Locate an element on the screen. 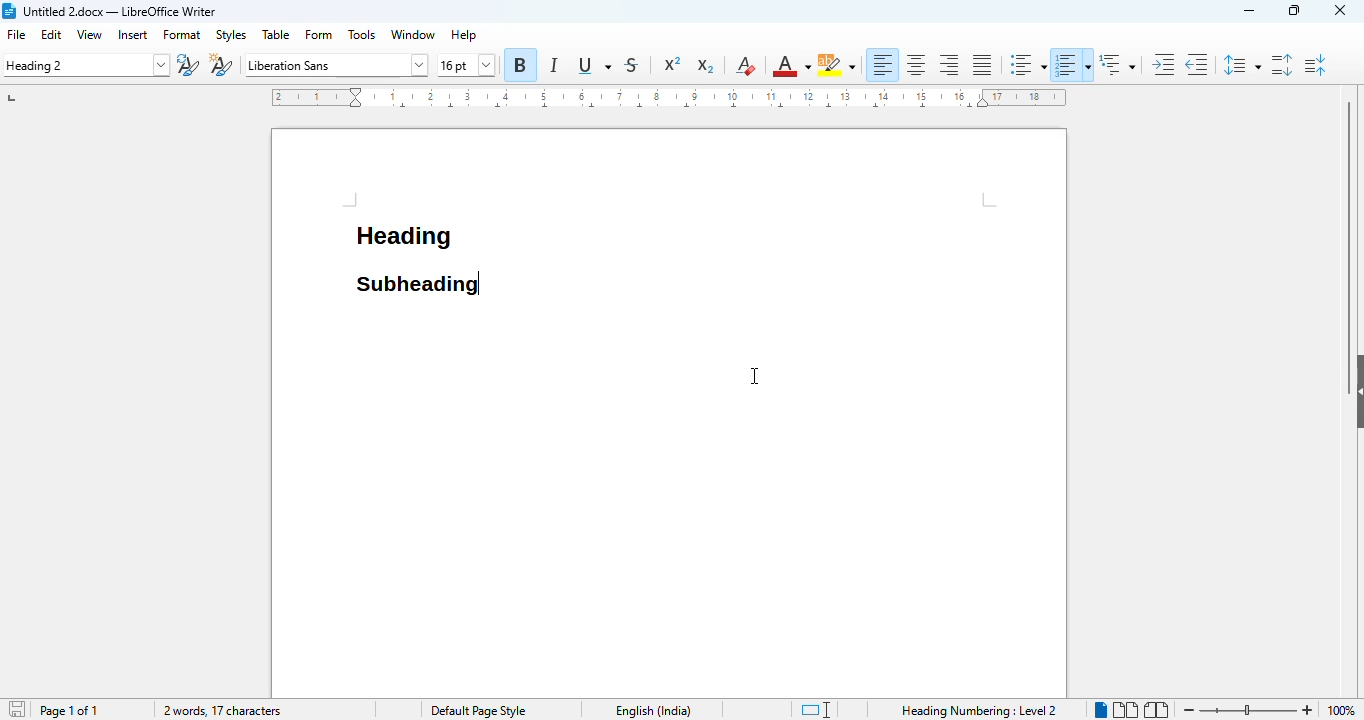  view is located at coordinates (90, 34).